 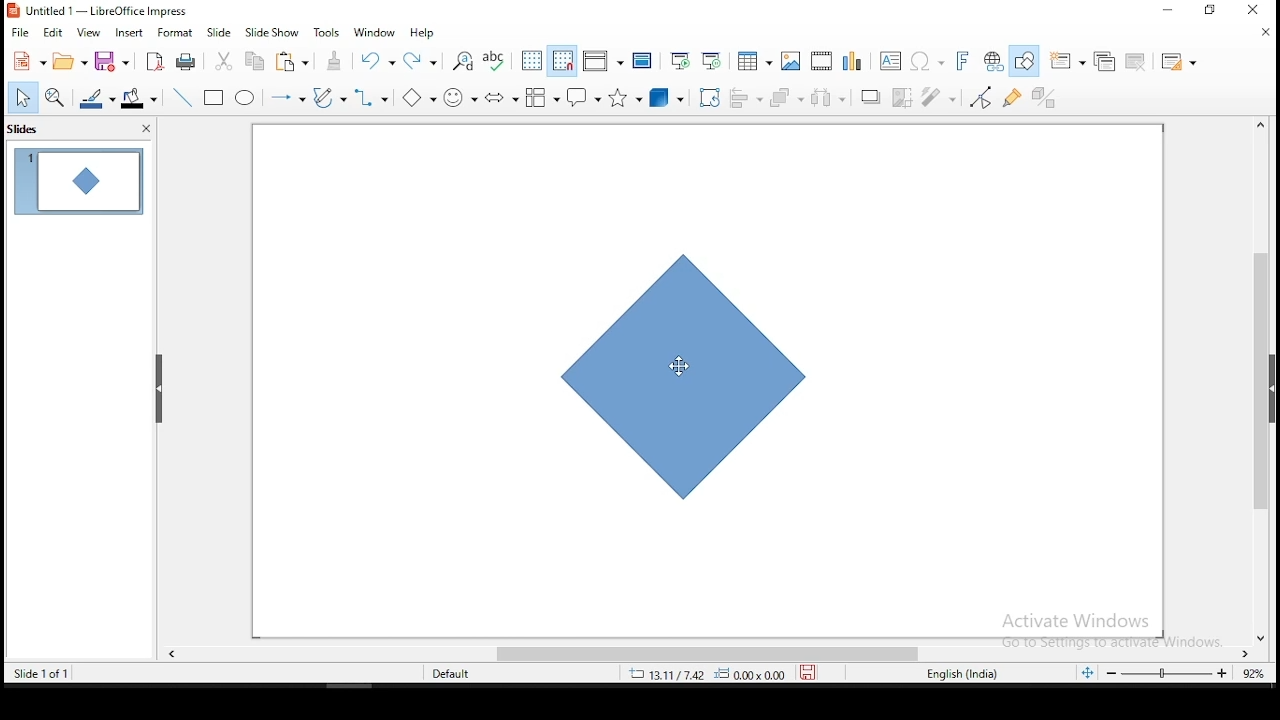 What do you see at coordinates (378, 60) in the screenshot?
I see `undo` at bounding box center [378, 60].